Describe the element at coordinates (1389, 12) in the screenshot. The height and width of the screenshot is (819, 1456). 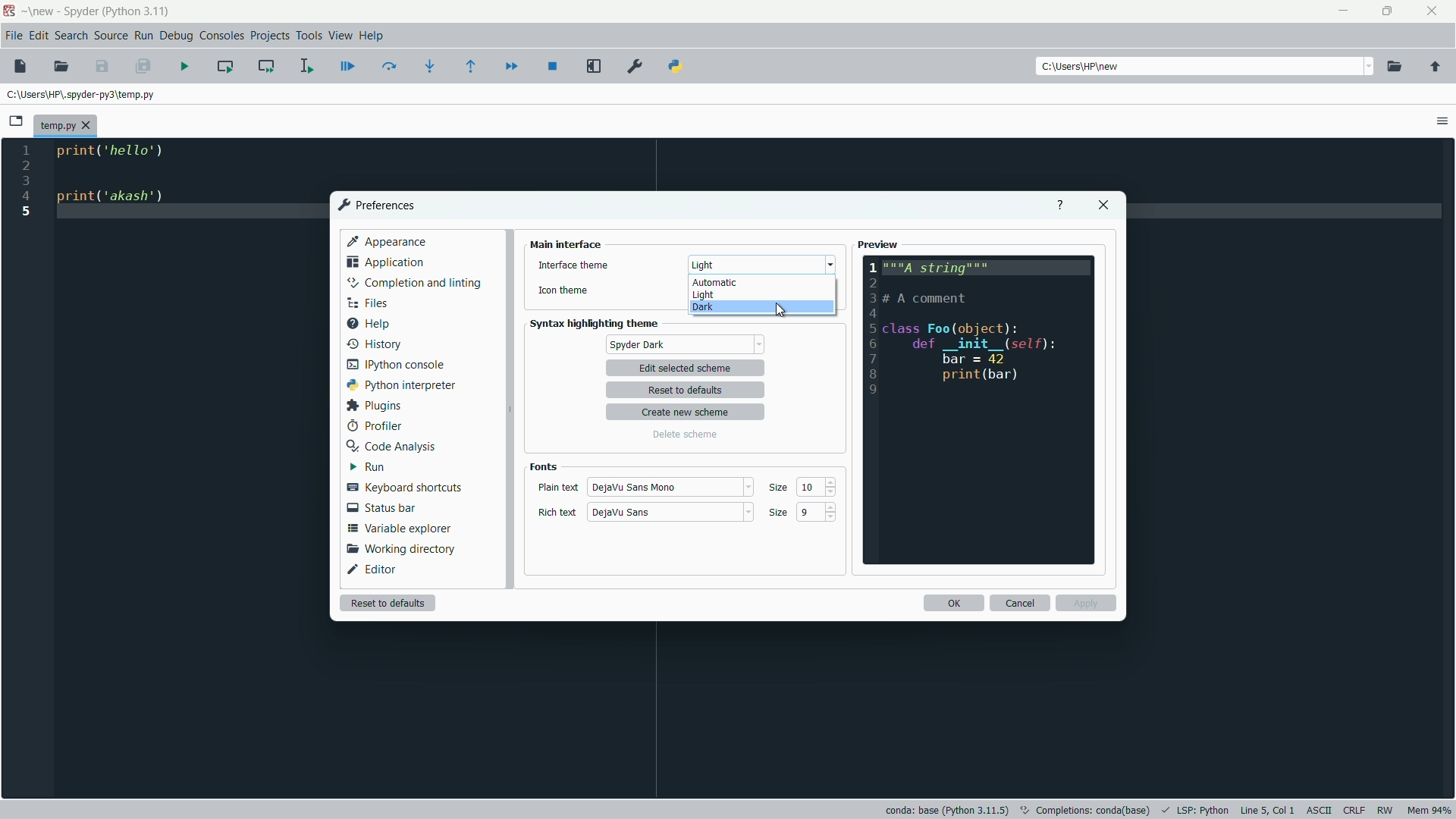
I see `maximize` at that location.